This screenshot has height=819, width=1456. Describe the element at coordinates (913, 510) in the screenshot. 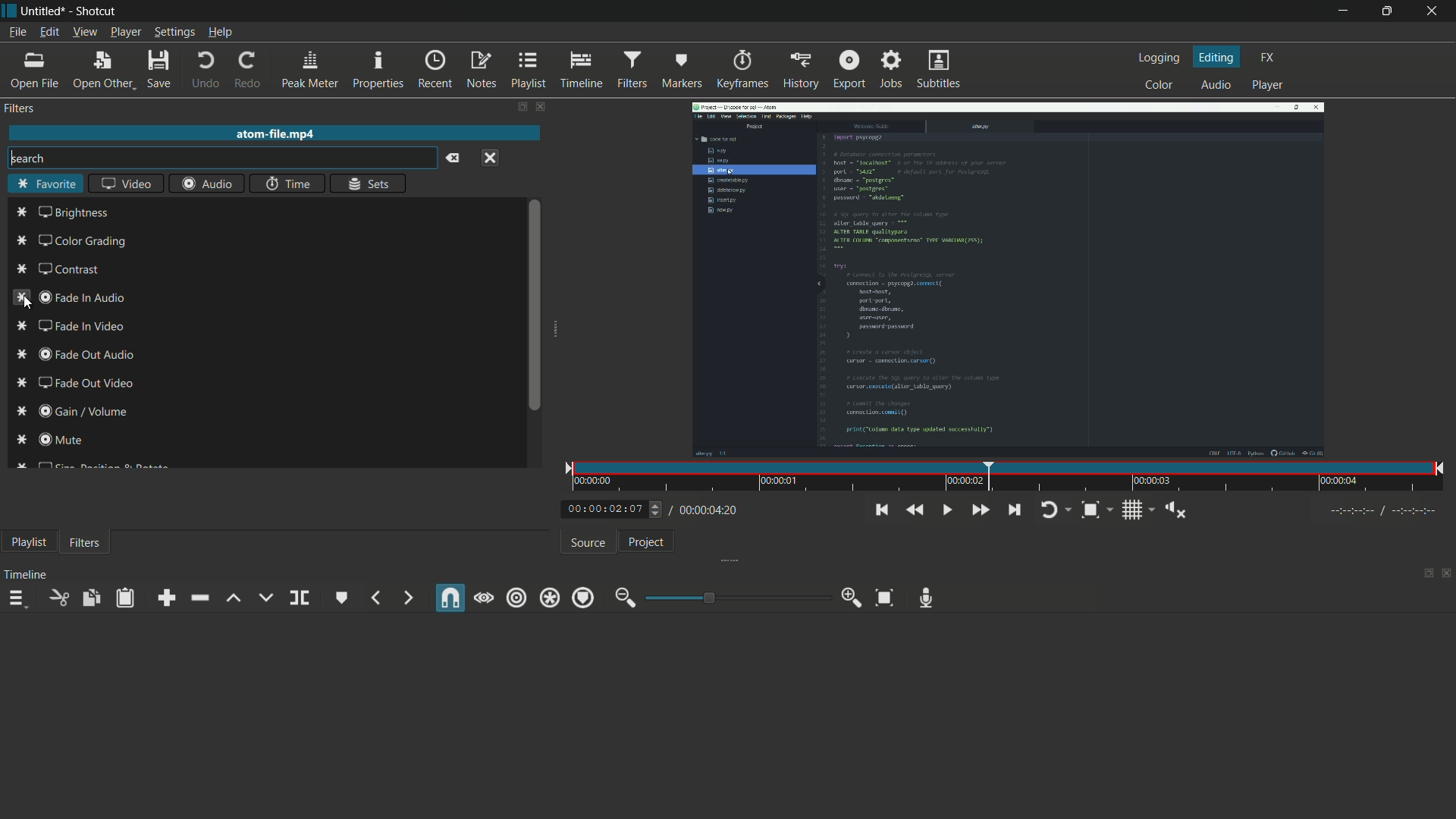

I see `quickly play backward` at that location.